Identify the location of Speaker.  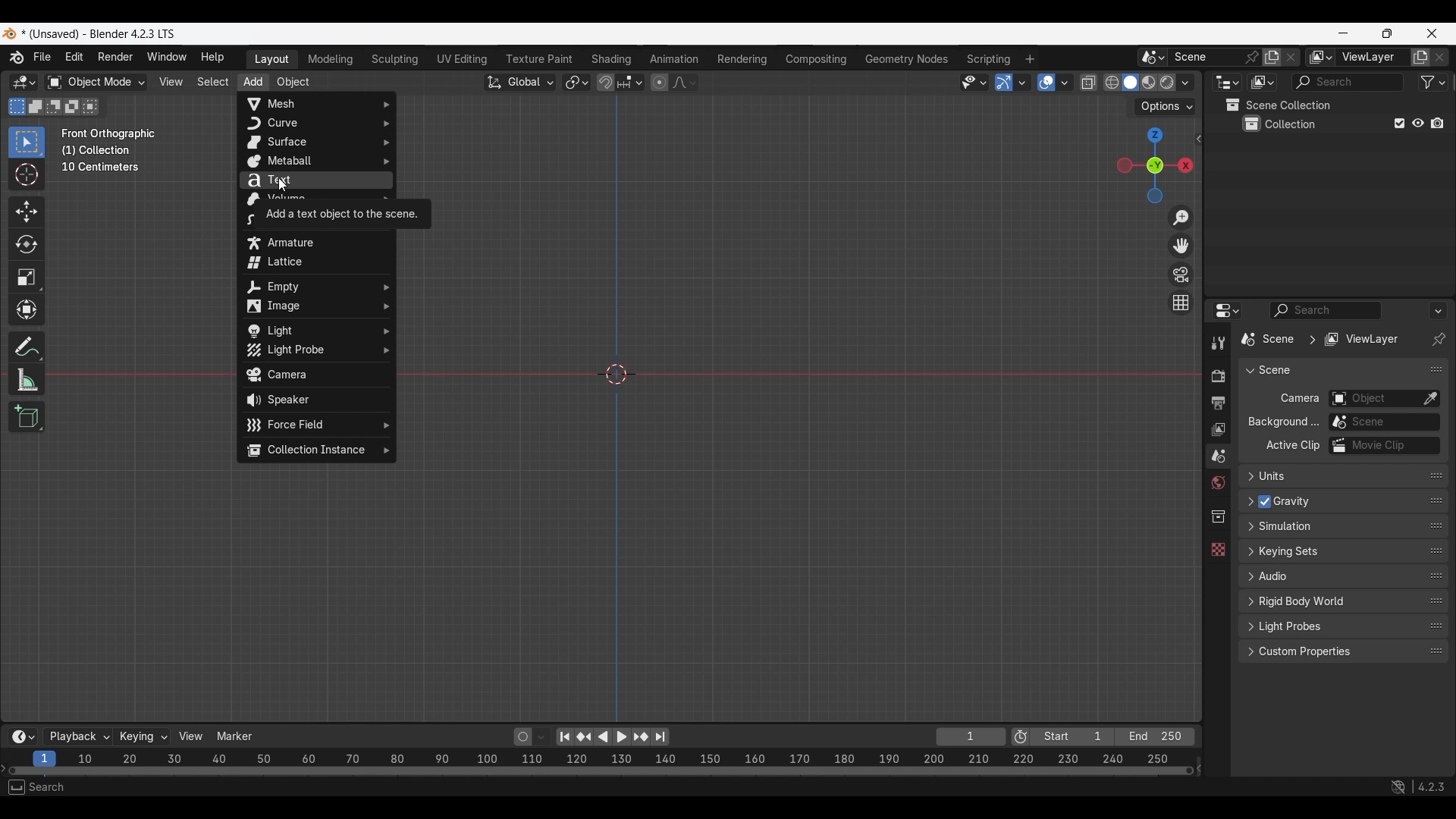
(317, 400).